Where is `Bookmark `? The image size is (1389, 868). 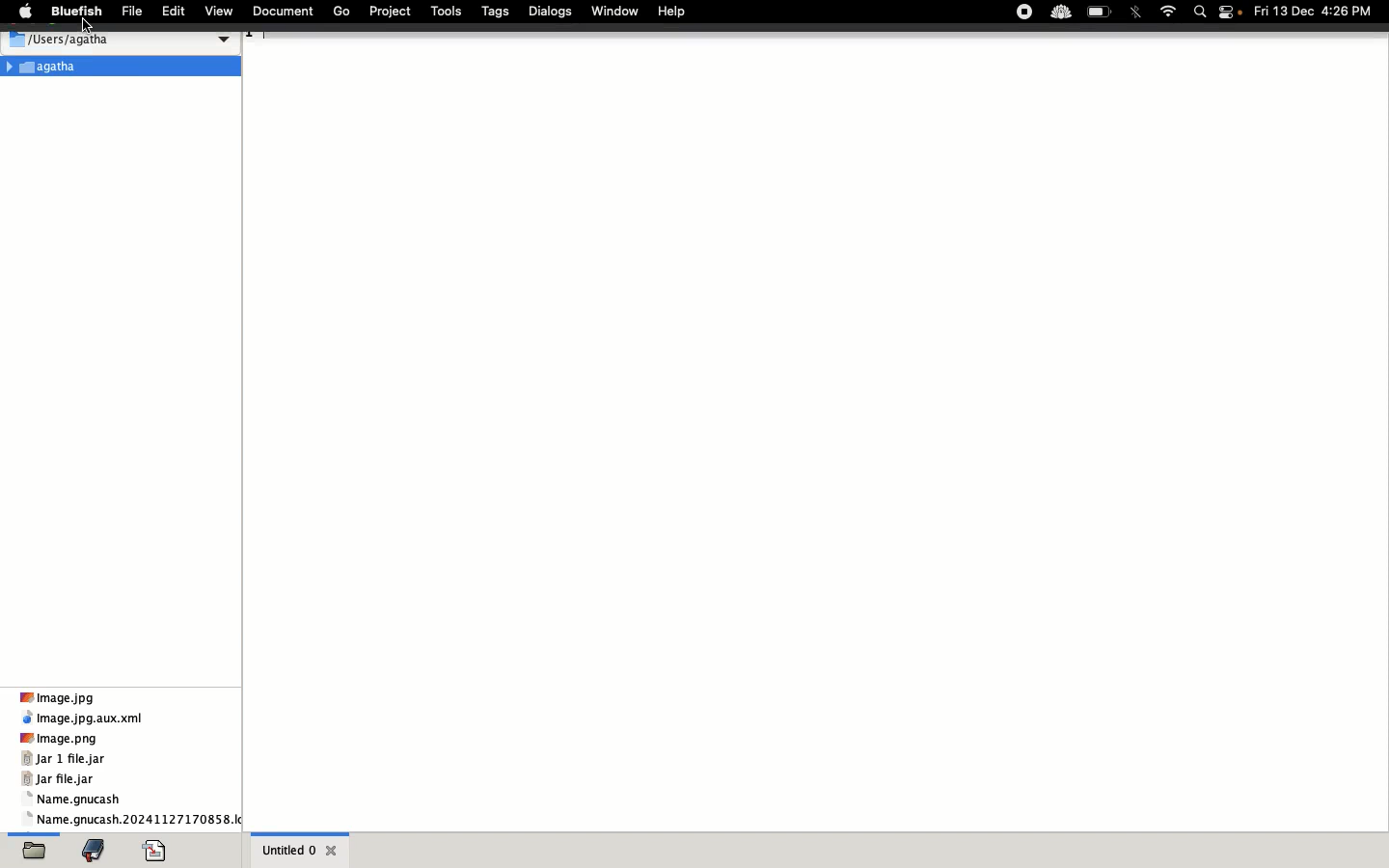
Bookmark  is located at coordinates (97, 851).